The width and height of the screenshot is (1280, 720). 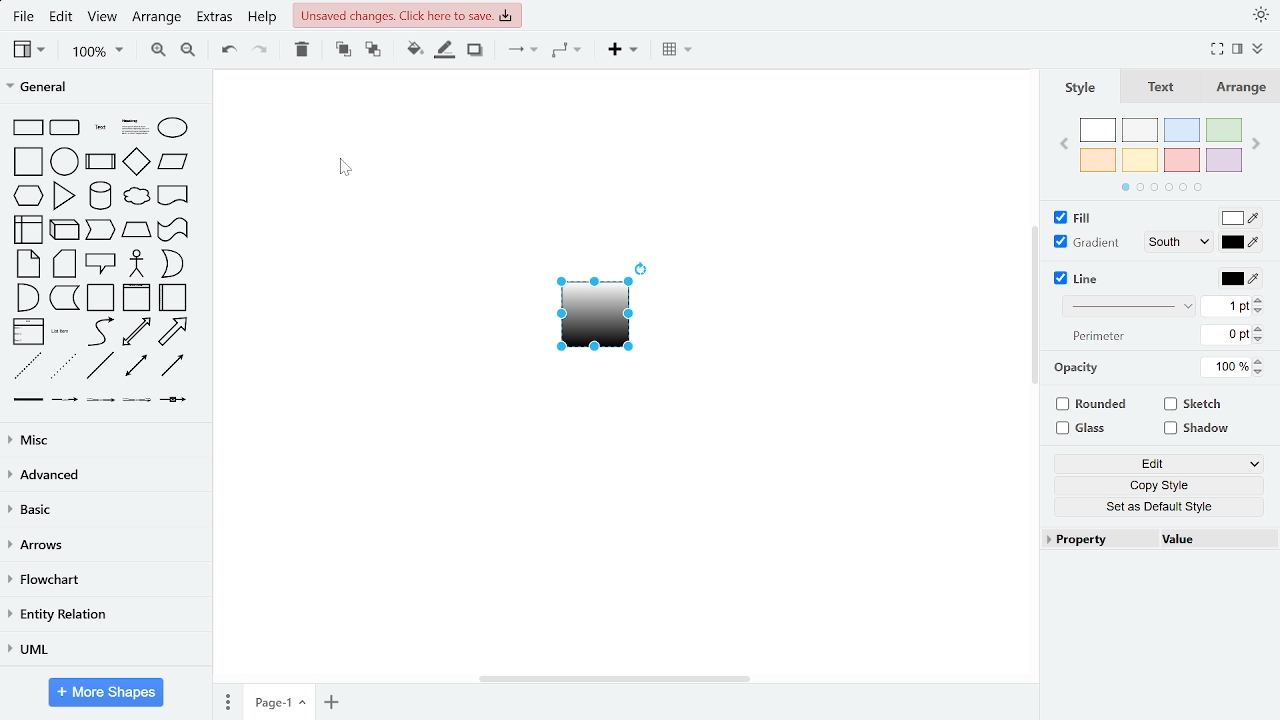 I want to click on increase perimeter, so click(x=1259, y=300).